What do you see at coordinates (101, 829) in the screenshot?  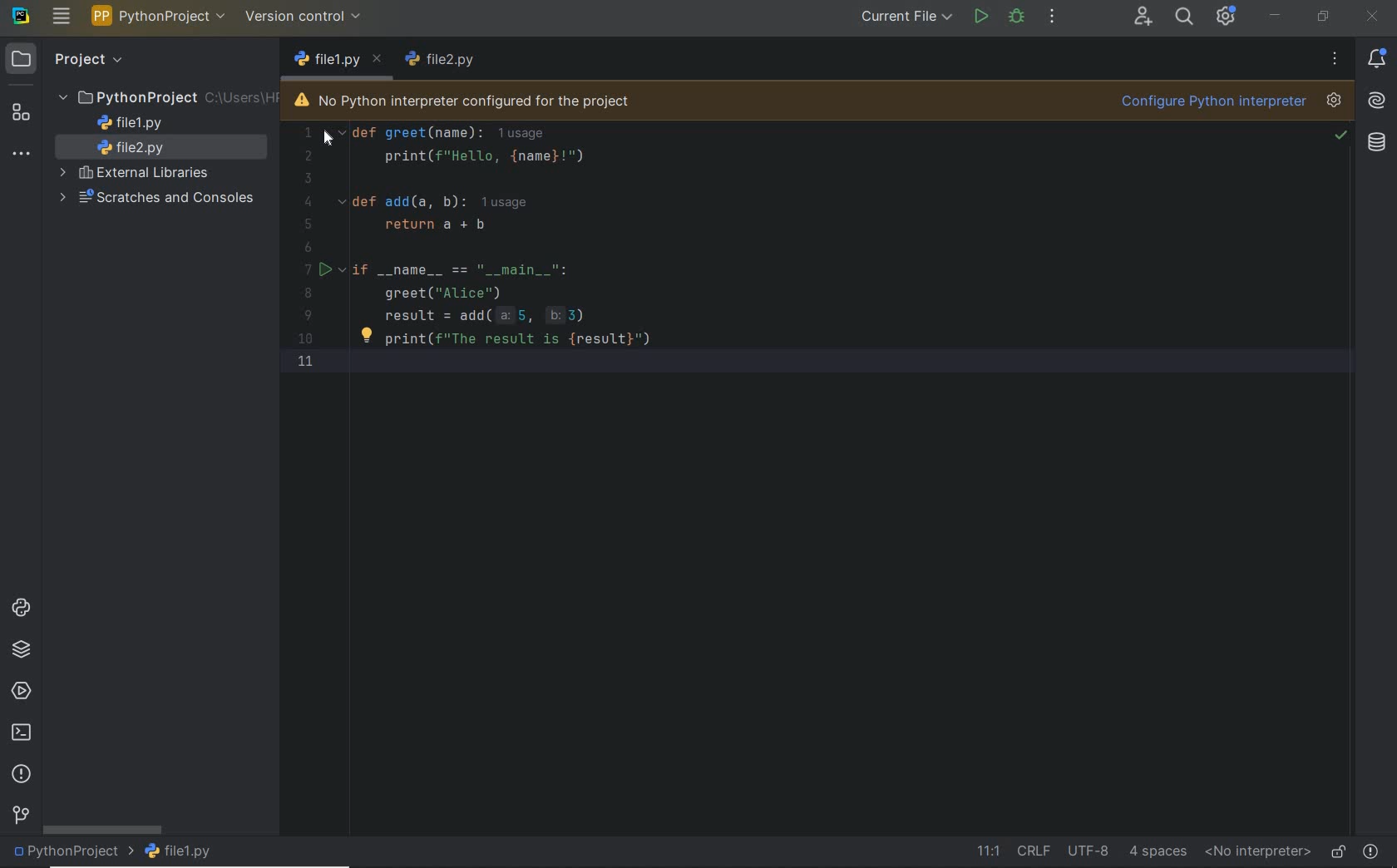 I see `scrollbar` at bounding box center [101, 829].